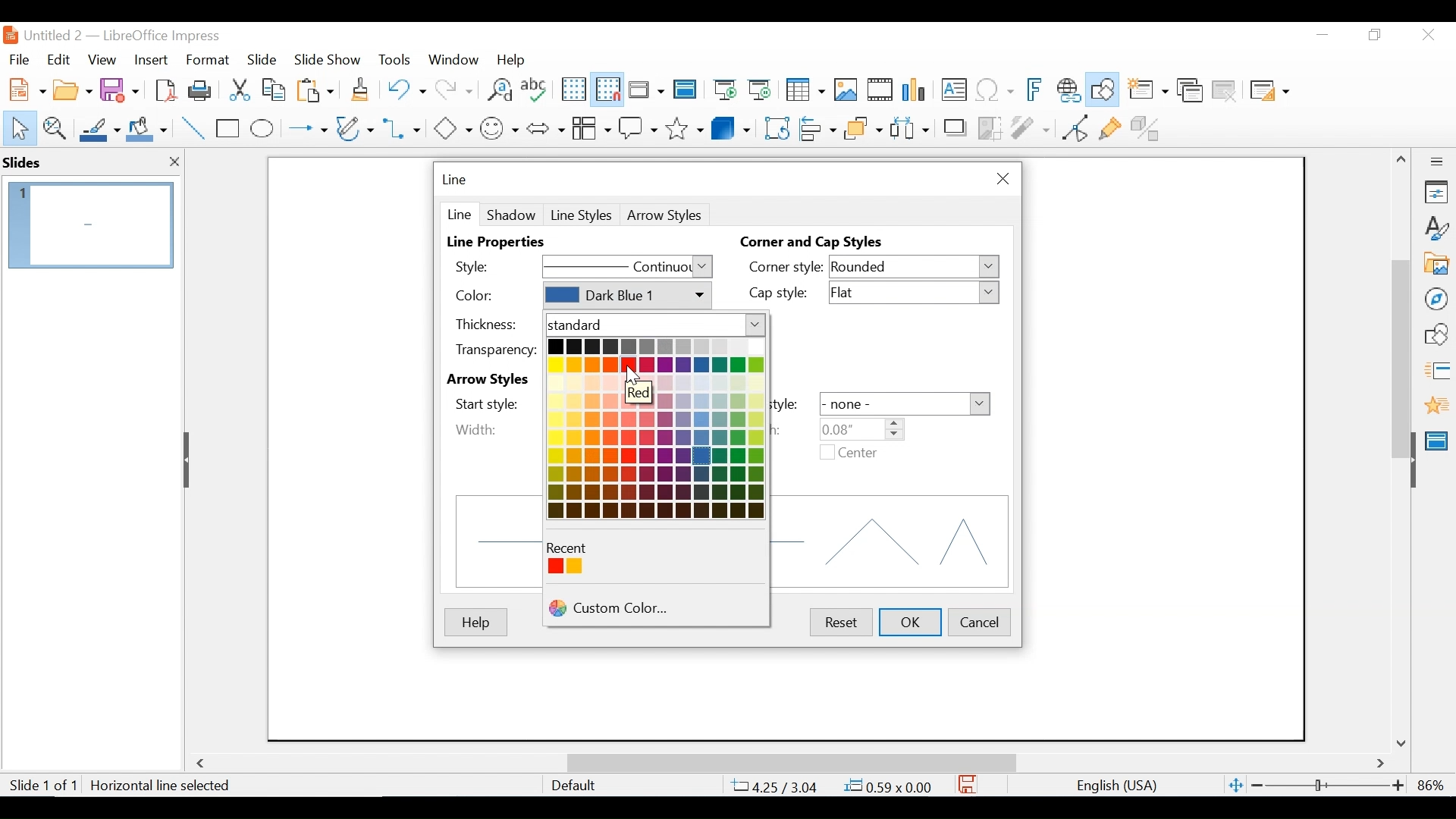  Describe the element at coordinates (1436, 334) in the screenshot. I see `Shapes` at that location.